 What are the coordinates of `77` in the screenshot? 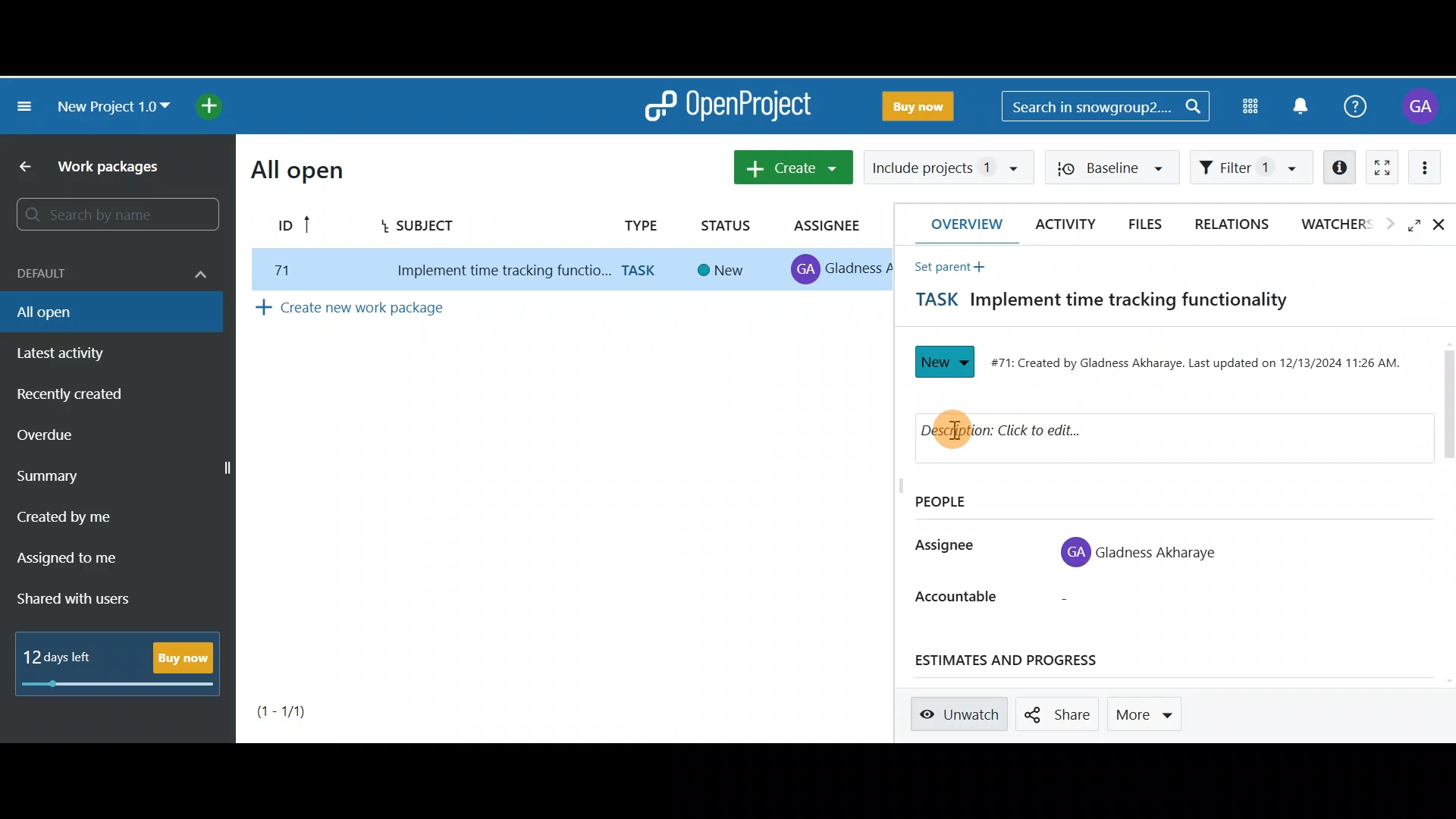 It's located at (278, 270).